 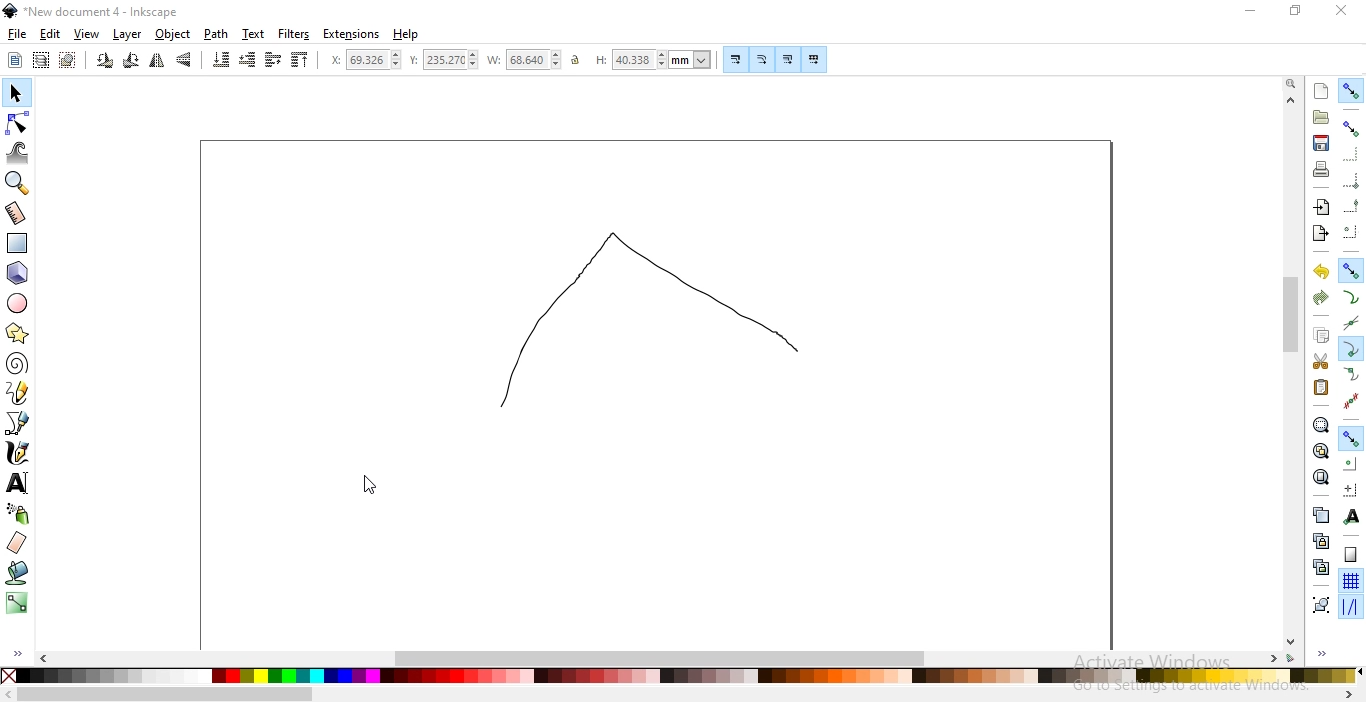 What do you see at coordinates (1340, 11) in the screenshot?
I see `close` at bounding box center [1340, 11].